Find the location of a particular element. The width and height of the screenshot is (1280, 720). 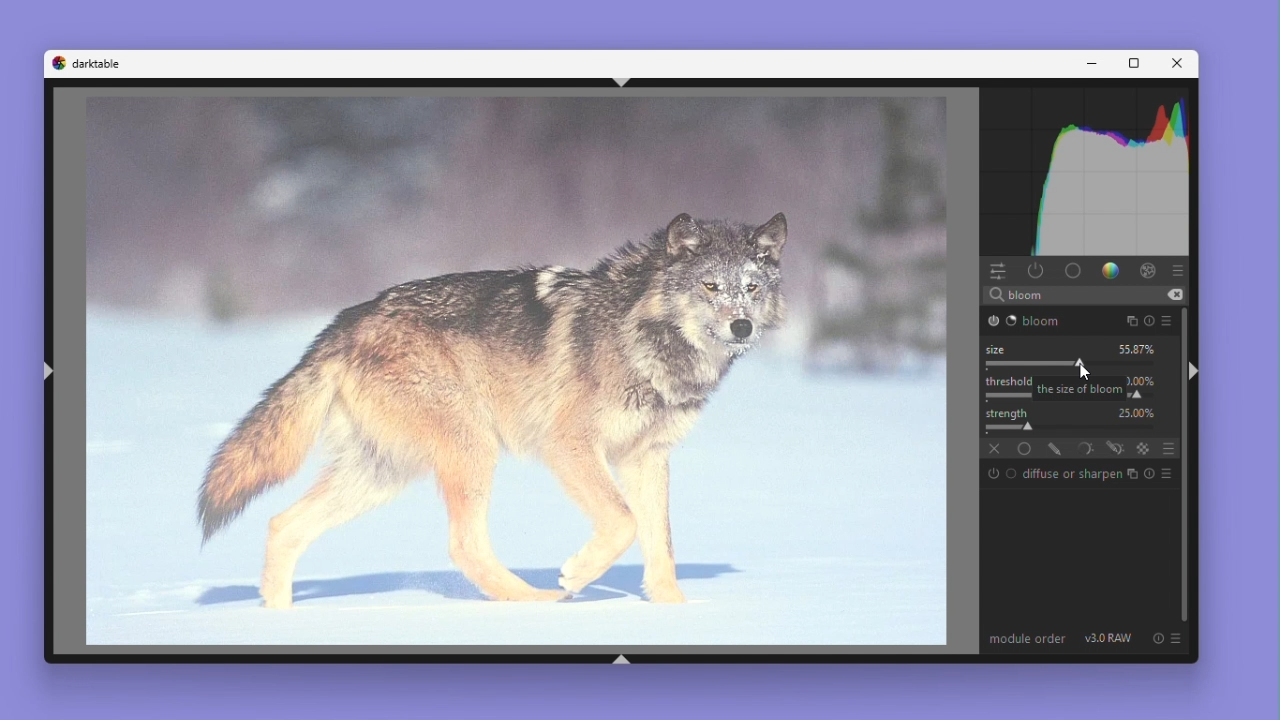

Preset  is located at coordinates (1180, 271).